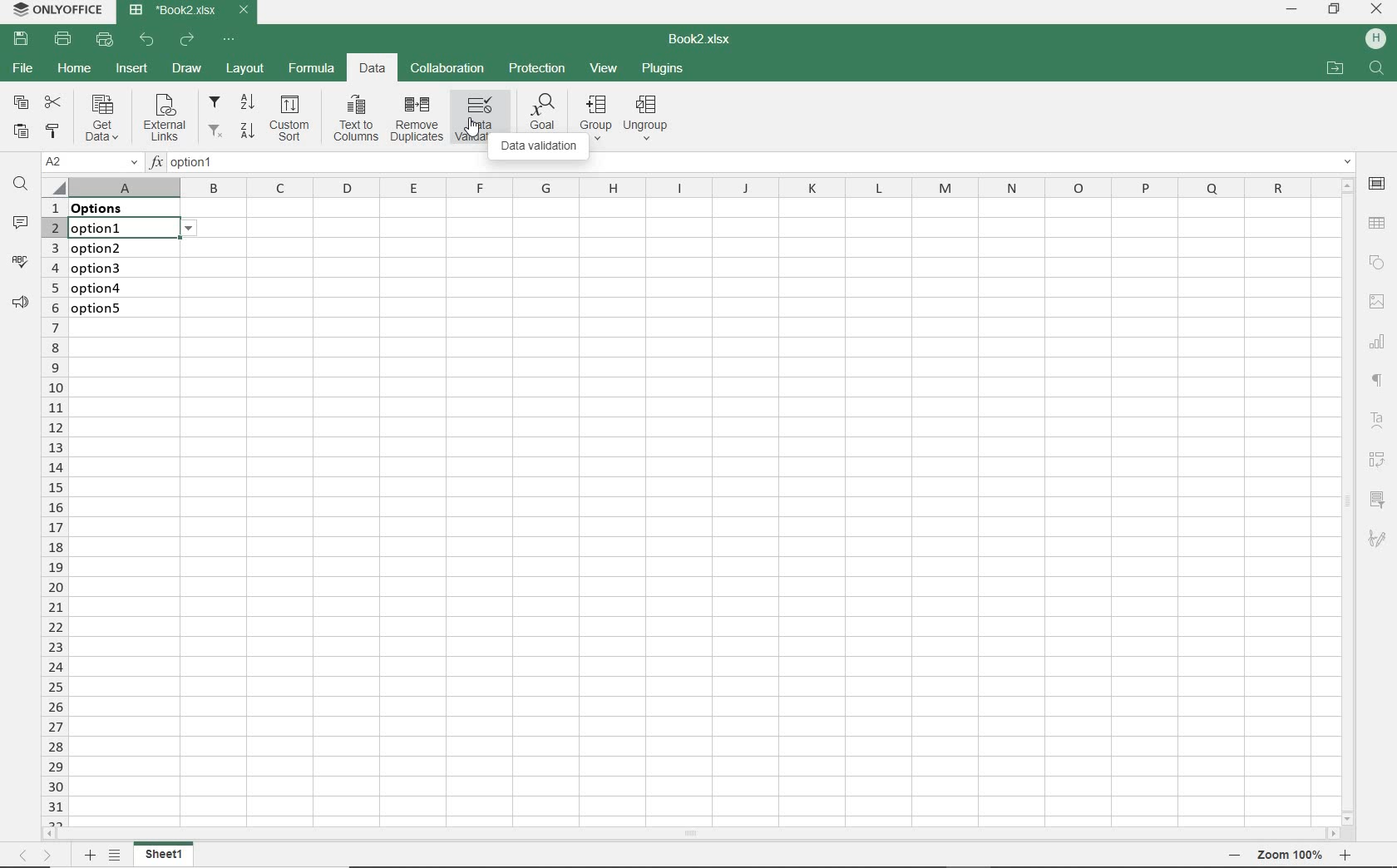 This screenshot has width=1397, height=868. I want to click on LIST OF SHEETS, so click(114, 856).